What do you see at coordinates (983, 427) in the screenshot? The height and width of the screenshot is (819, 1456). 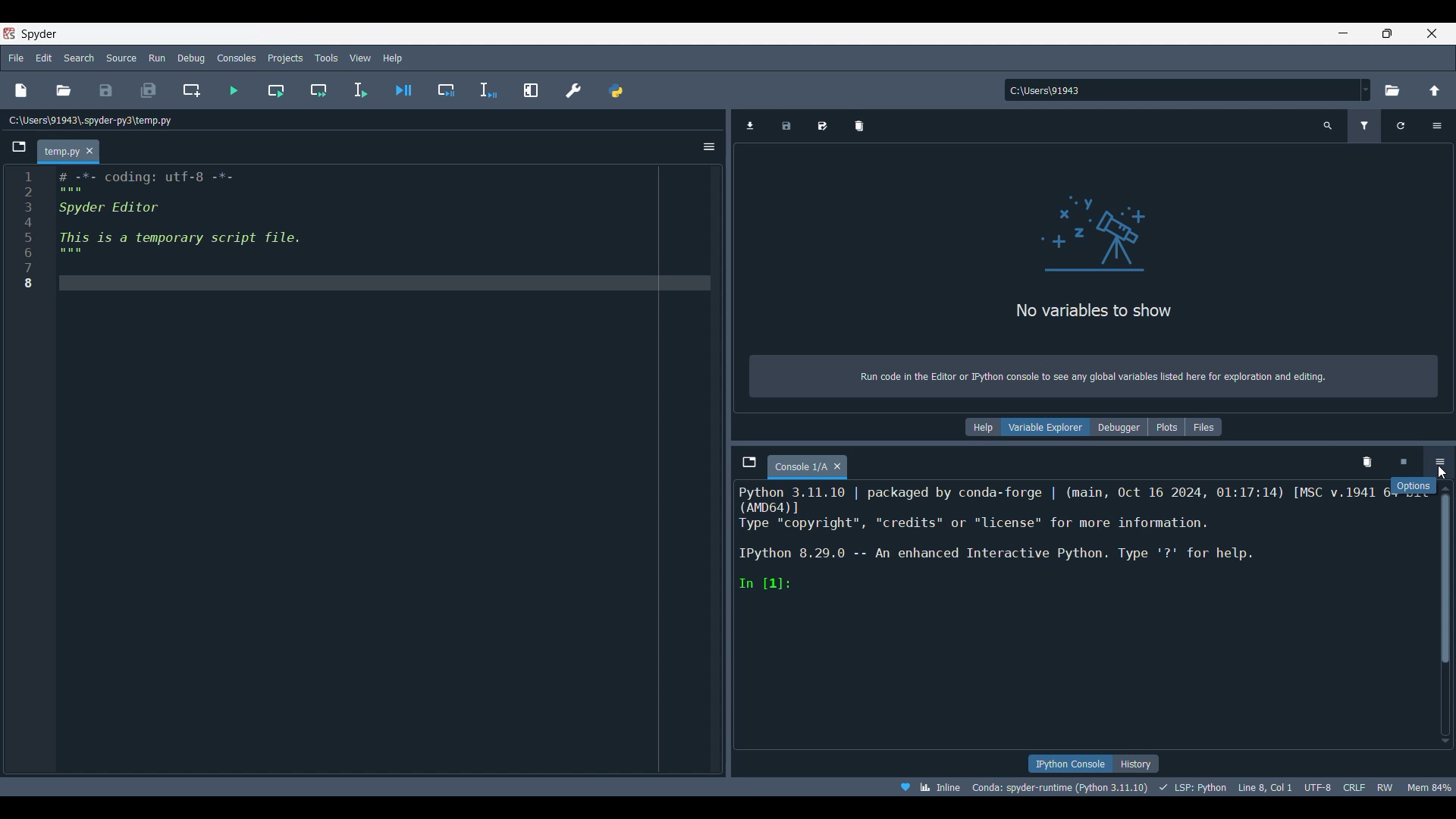 I see `Help` at bounding box center [983, 427].